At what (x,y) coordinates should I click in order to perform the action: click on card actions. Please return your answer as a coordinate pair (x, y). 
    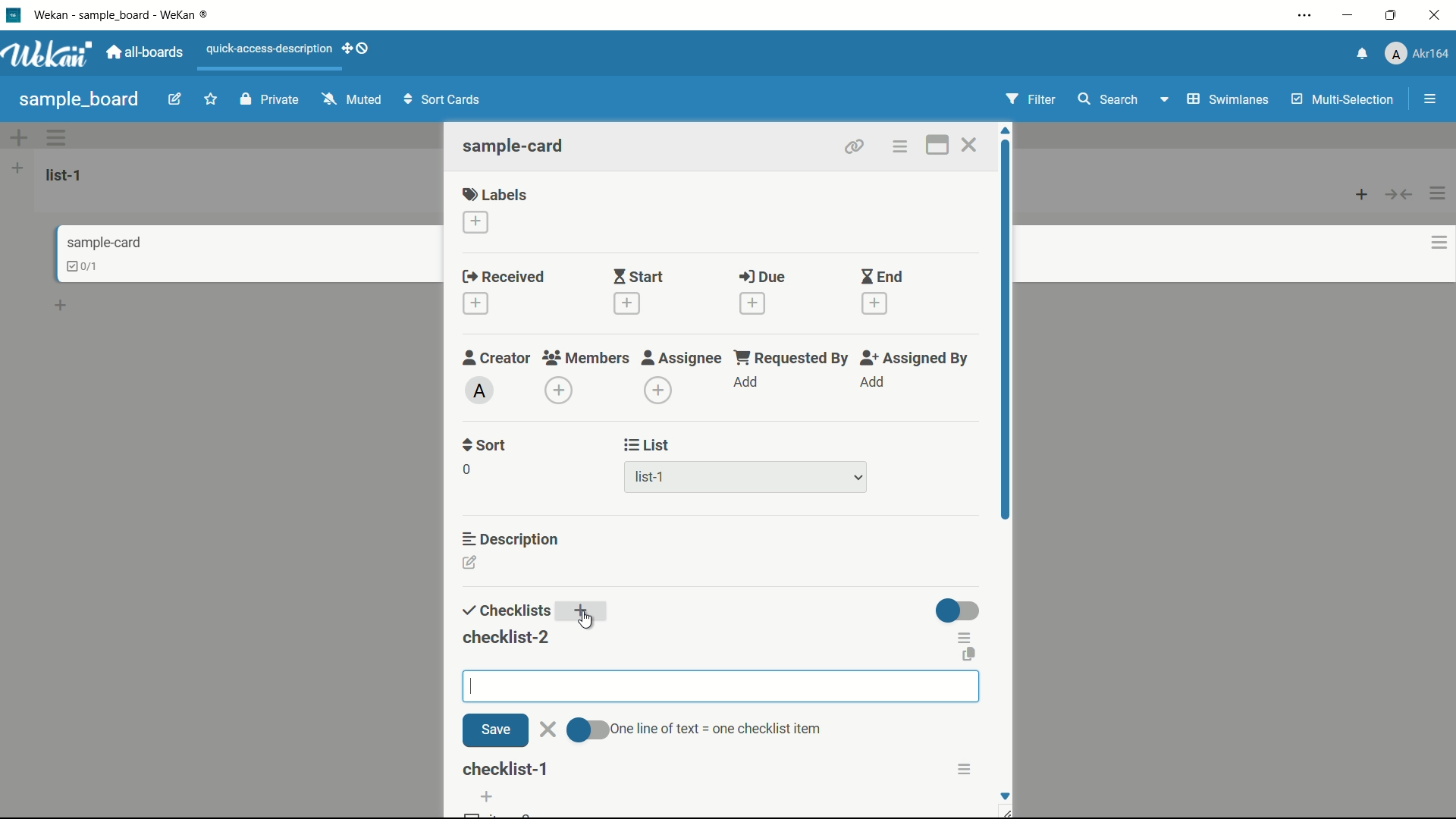
    Looking at the image, I should click on (1439, 243).